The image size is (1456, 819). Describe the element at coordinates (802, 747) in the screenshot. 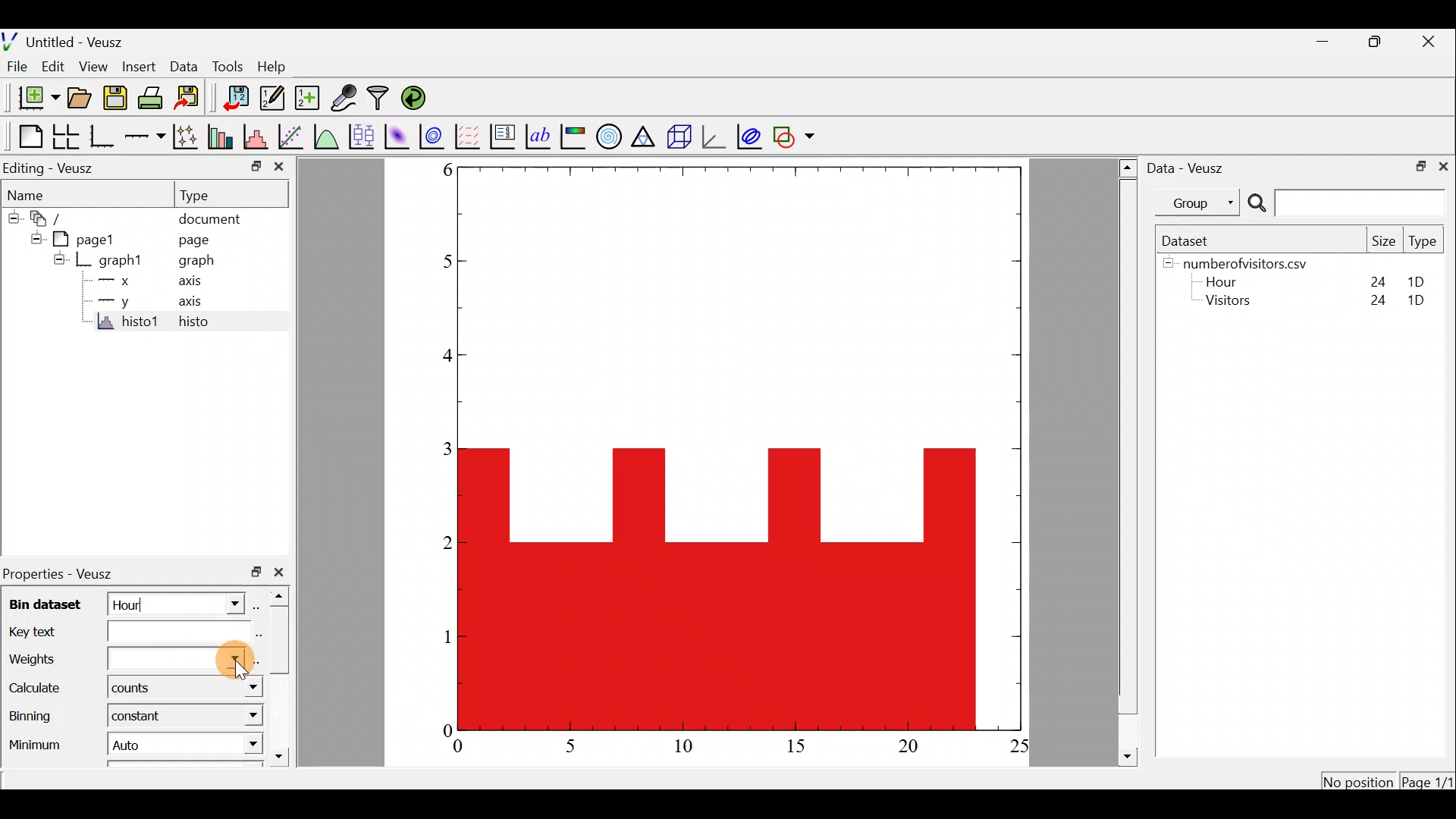

I see `15` at that location.